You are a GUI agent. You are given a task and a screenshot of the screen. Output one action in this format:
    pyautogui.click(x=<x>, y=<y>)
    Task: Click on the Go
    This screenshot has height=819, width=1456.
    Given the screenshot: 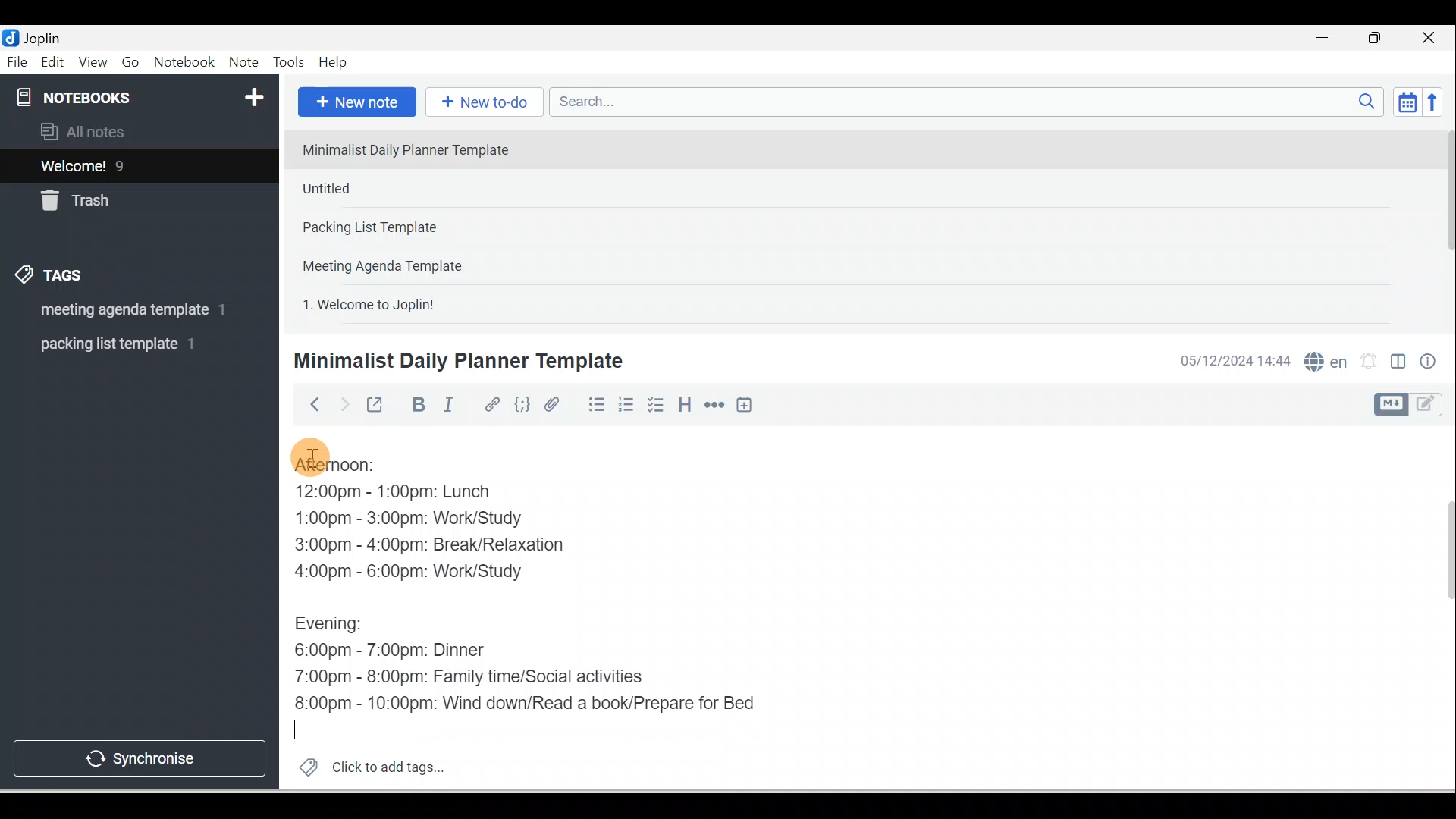 What is the action you would take?
    pyautogui.click(x=133, y=63)
    